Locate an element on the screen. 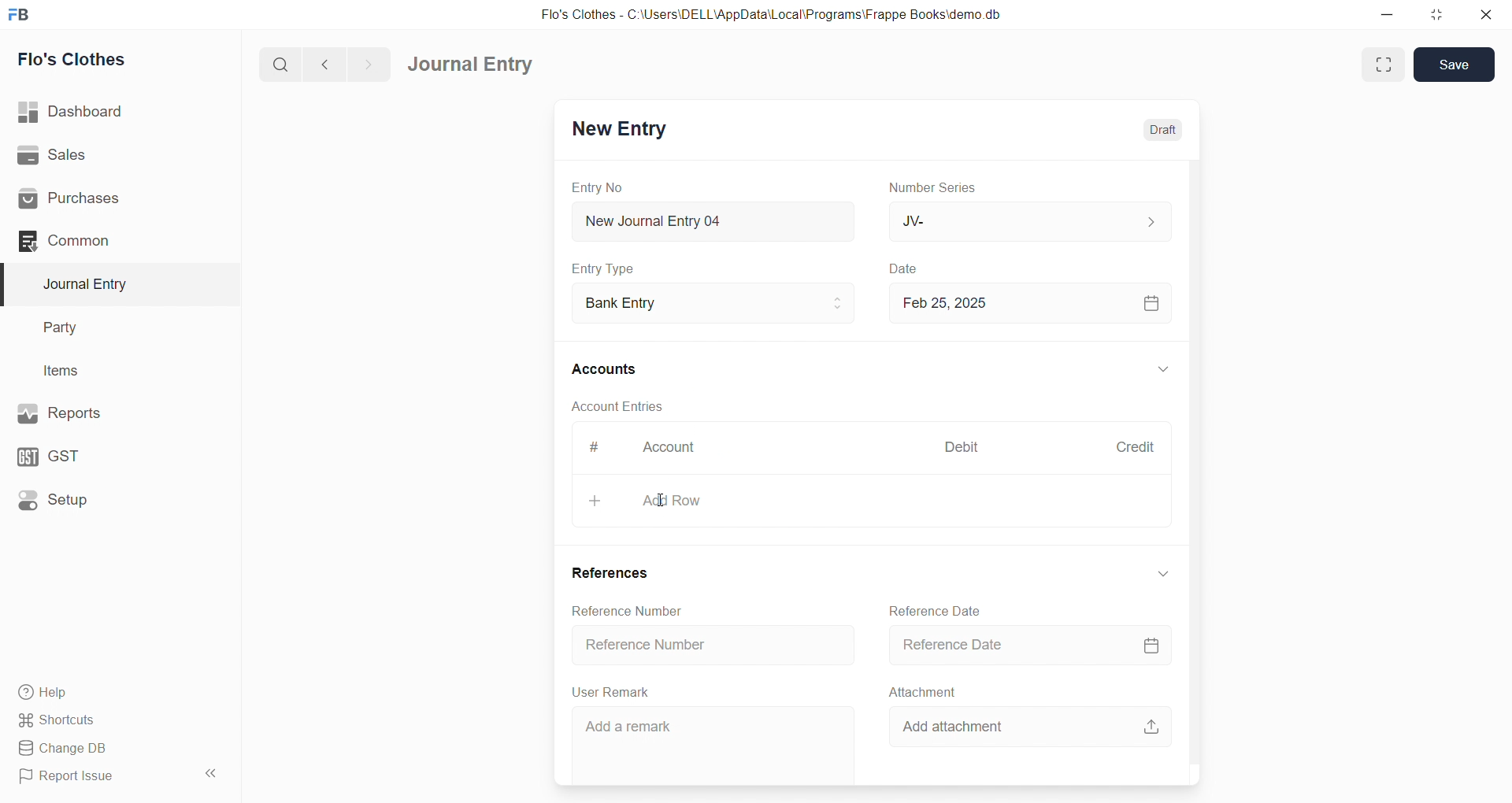 This screenshot has width=1512, height=803. Journal Entry is located at coordinates (112, 284).